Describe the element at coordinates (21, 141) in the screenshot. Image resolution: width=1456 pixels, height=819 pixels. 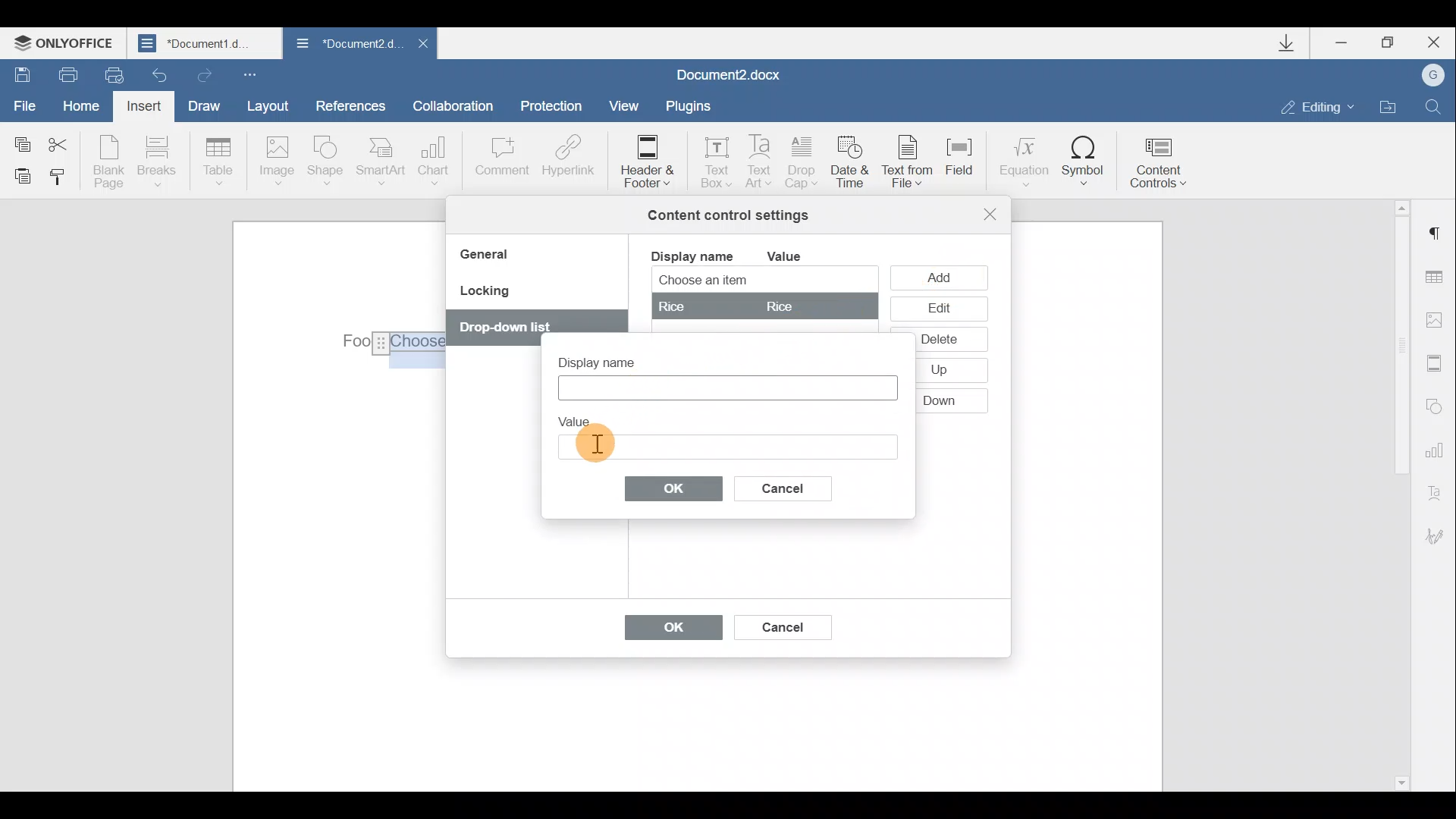
I see `Copy` at that location.